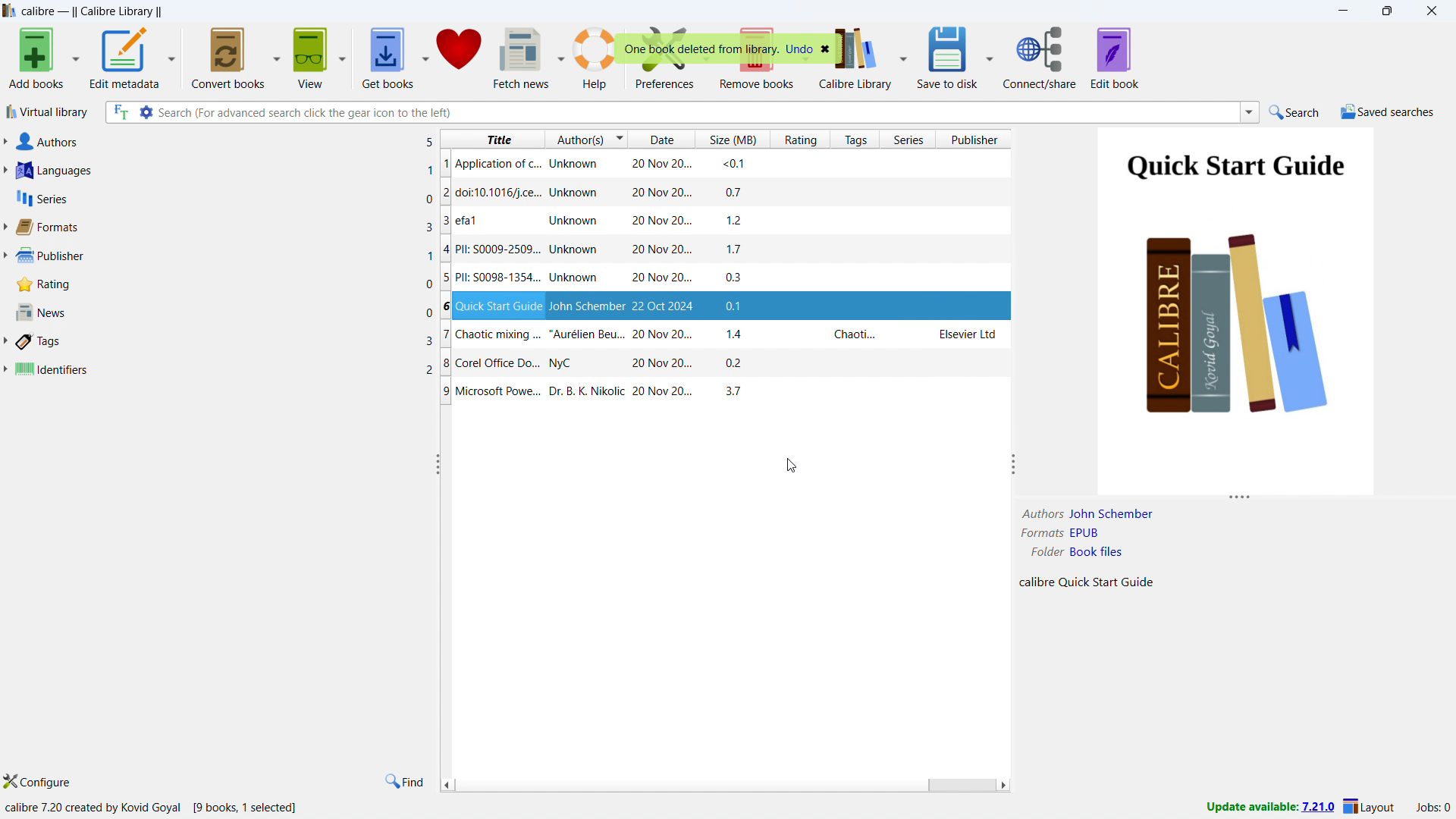 Image resolution: width=1456 pixels, height=819 pixels. What do you see at coordinates (1432, 11) in the screenshot?
I see `close` at bounding box center [1432, 11].